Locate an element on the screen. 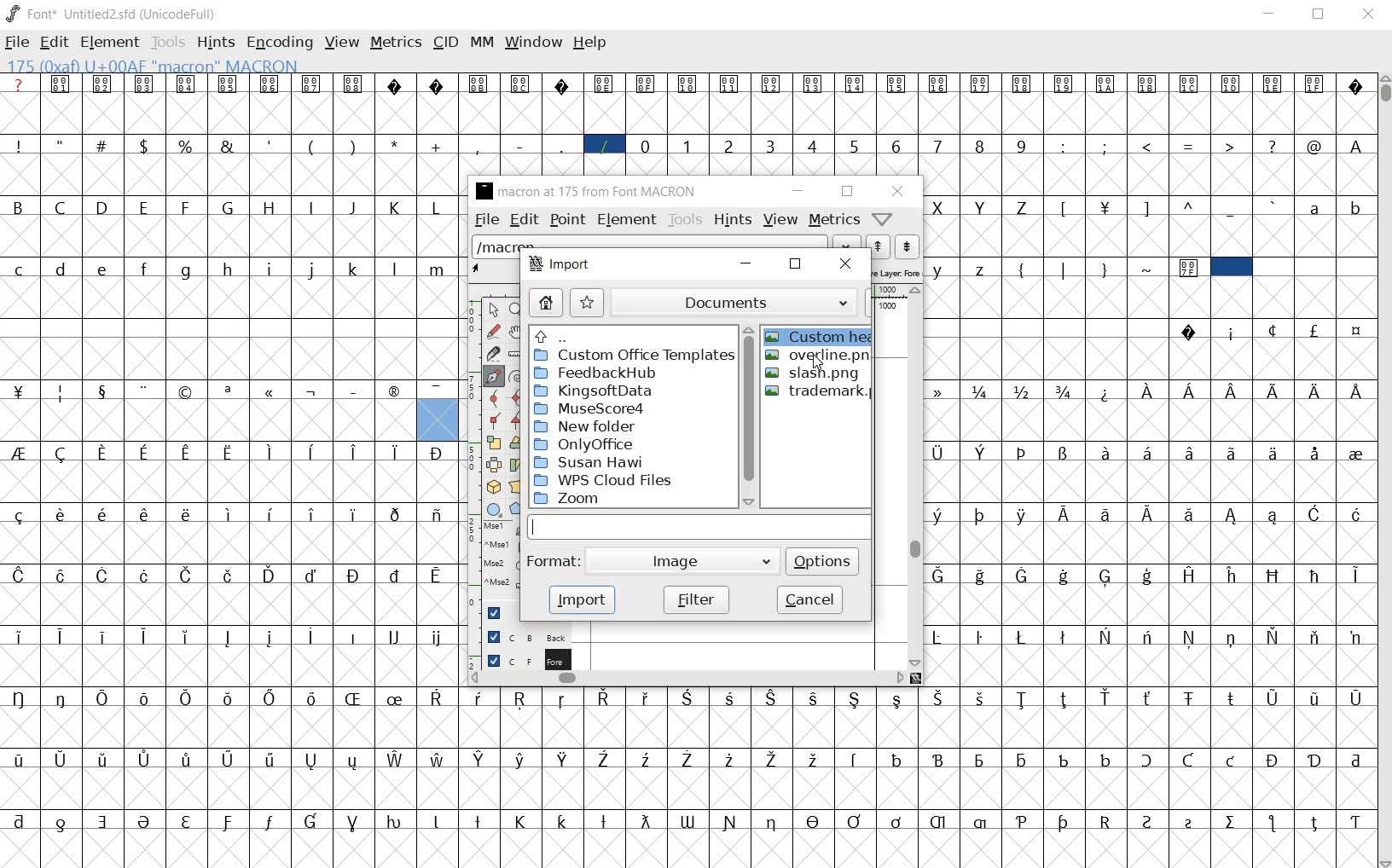 This screenshot has width=1392, height=868. Symbol is located at coordinates (148, 575).